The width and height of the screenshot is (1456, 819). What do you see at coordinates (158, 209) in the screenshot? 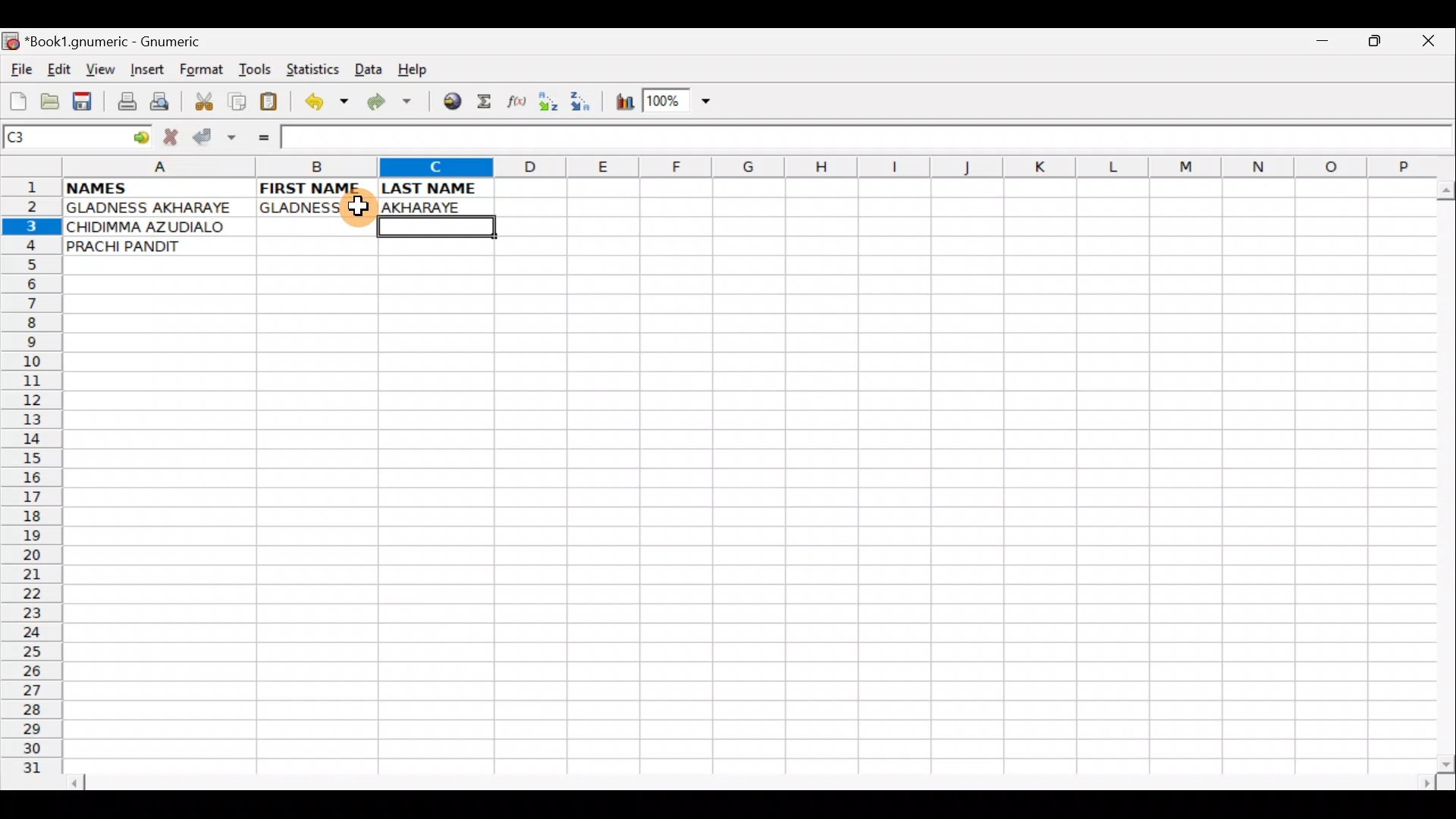
I see `GLADNESS AKHARAYE` at bounding box center [158, 209].